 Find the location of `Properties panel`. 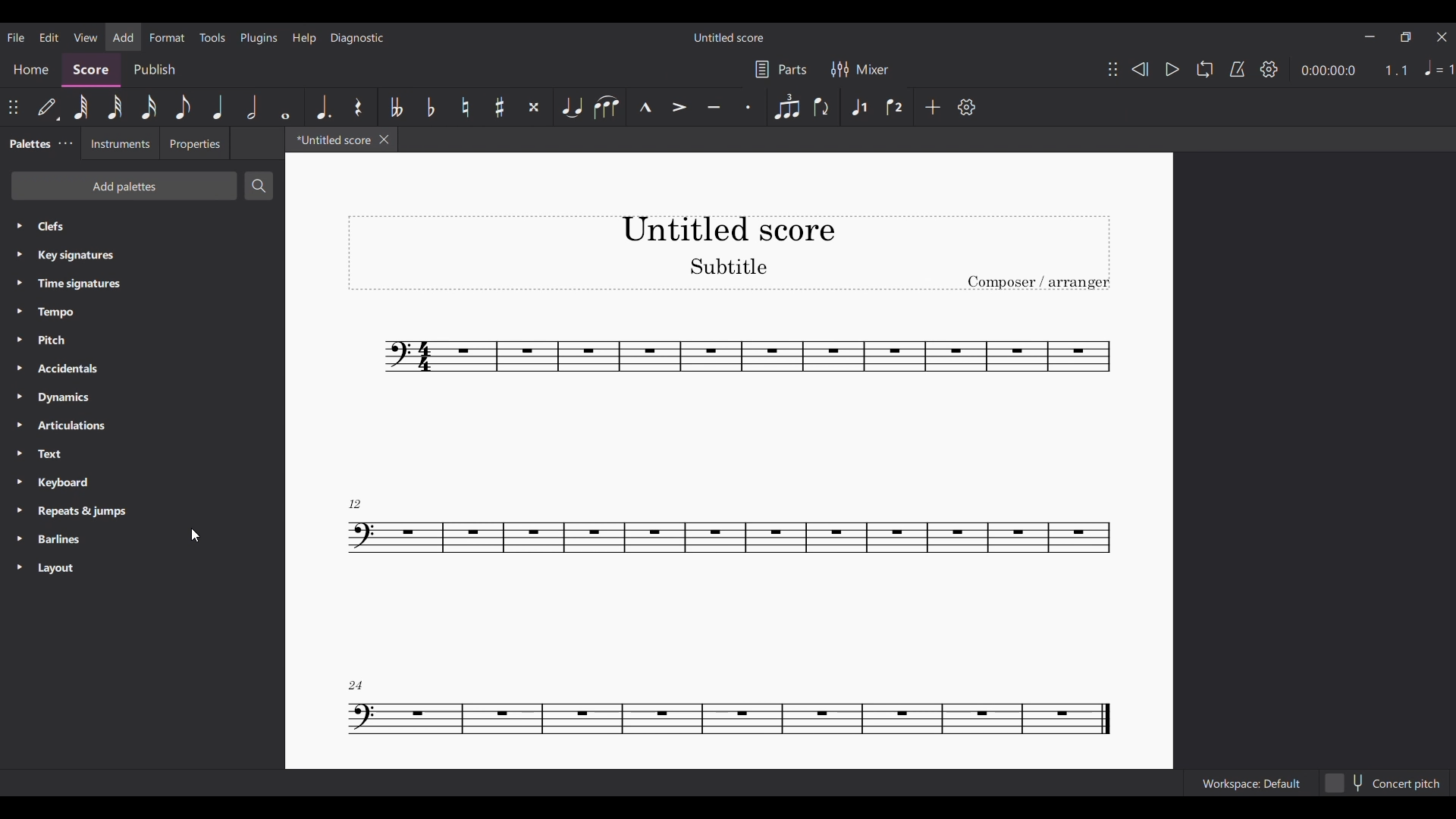

Properties panel is located at coordinates (196, 146).